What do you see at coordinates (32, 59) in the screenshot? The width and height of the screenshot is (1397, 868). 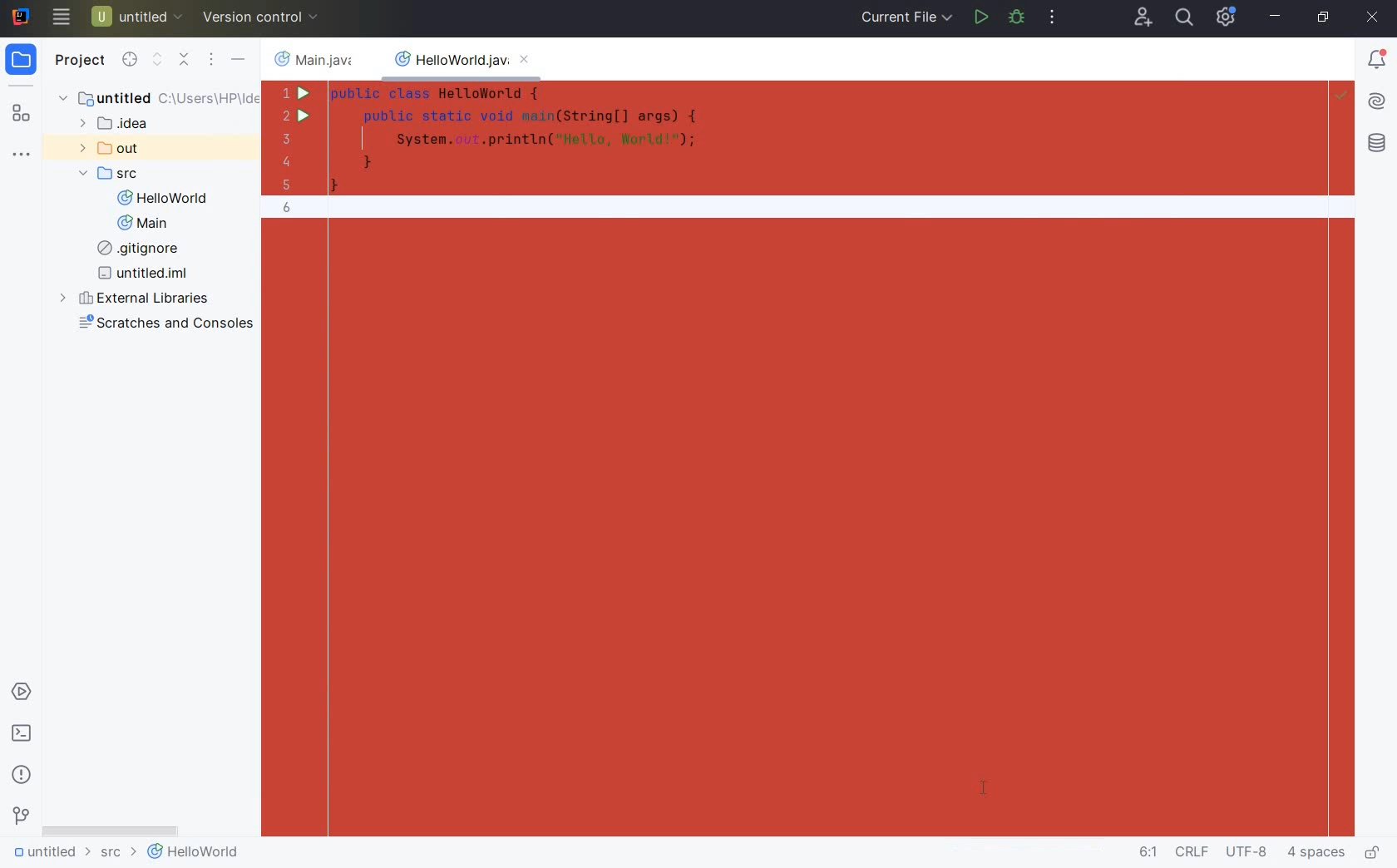 I see `project` at bounding box center [32, 59].